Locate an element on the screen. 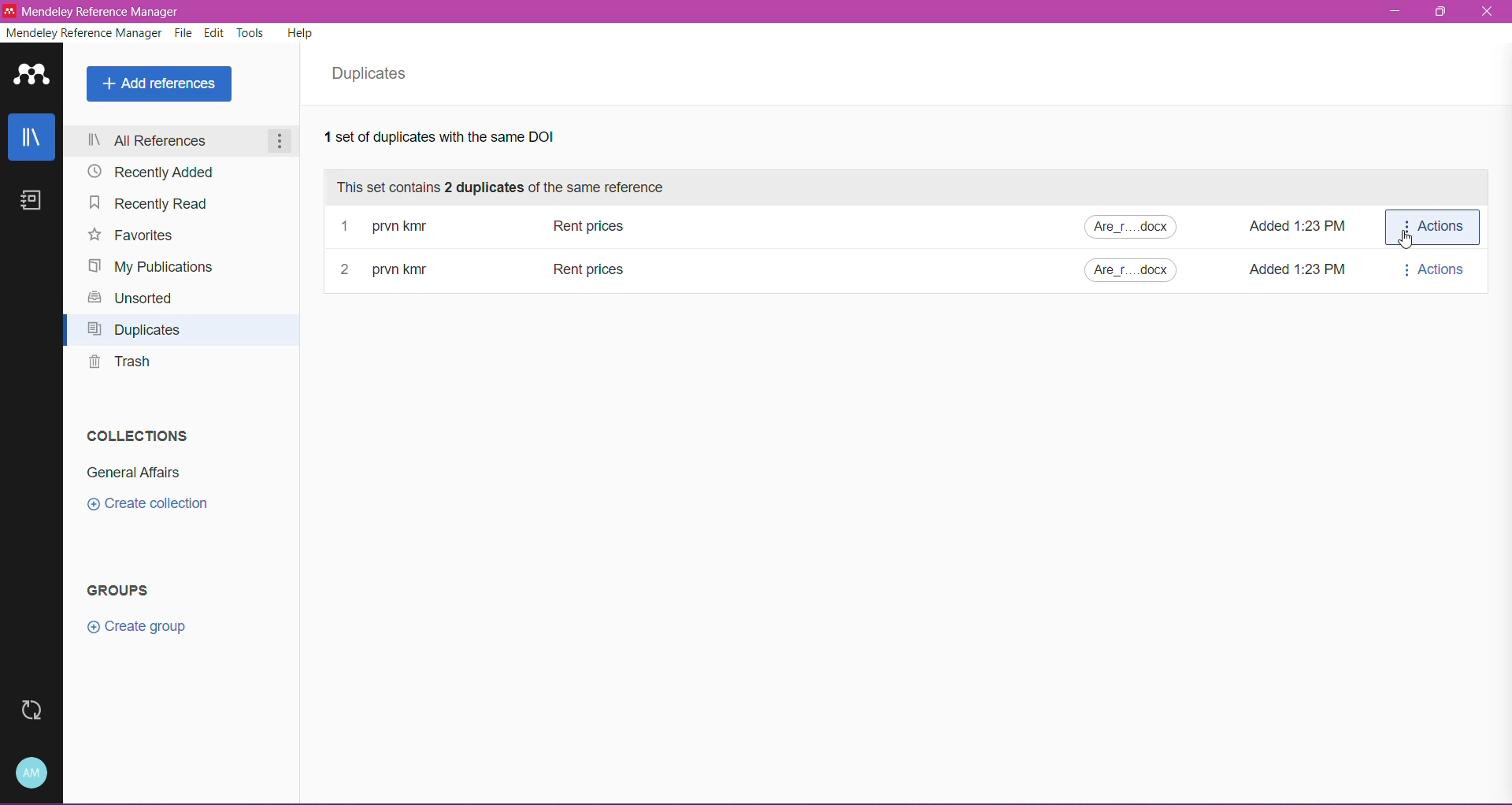 Image resolution: width=1512 pixels, height=805 pixels. file is located at coordinates (1135, 271).